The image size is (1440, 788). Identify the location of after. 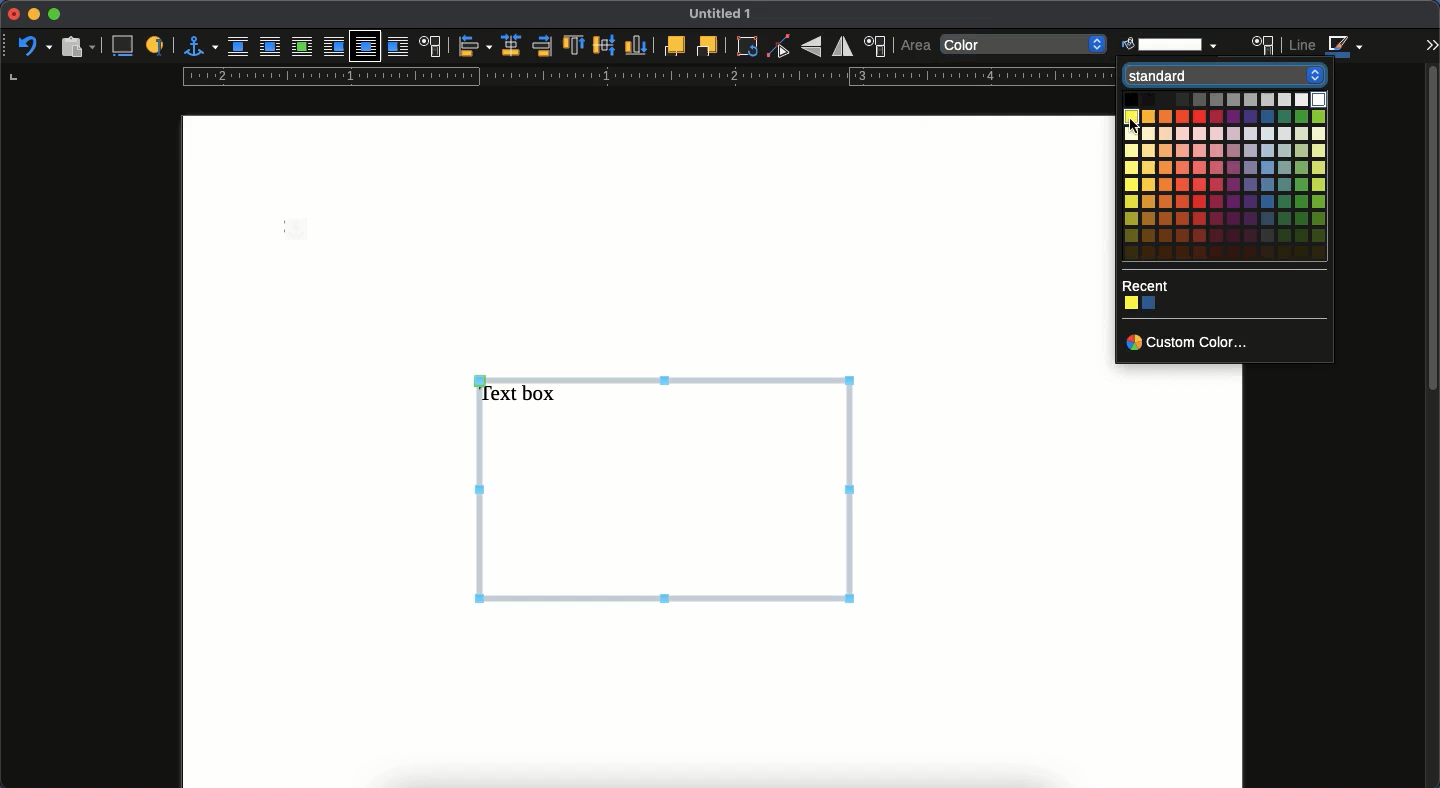
(400, 49).